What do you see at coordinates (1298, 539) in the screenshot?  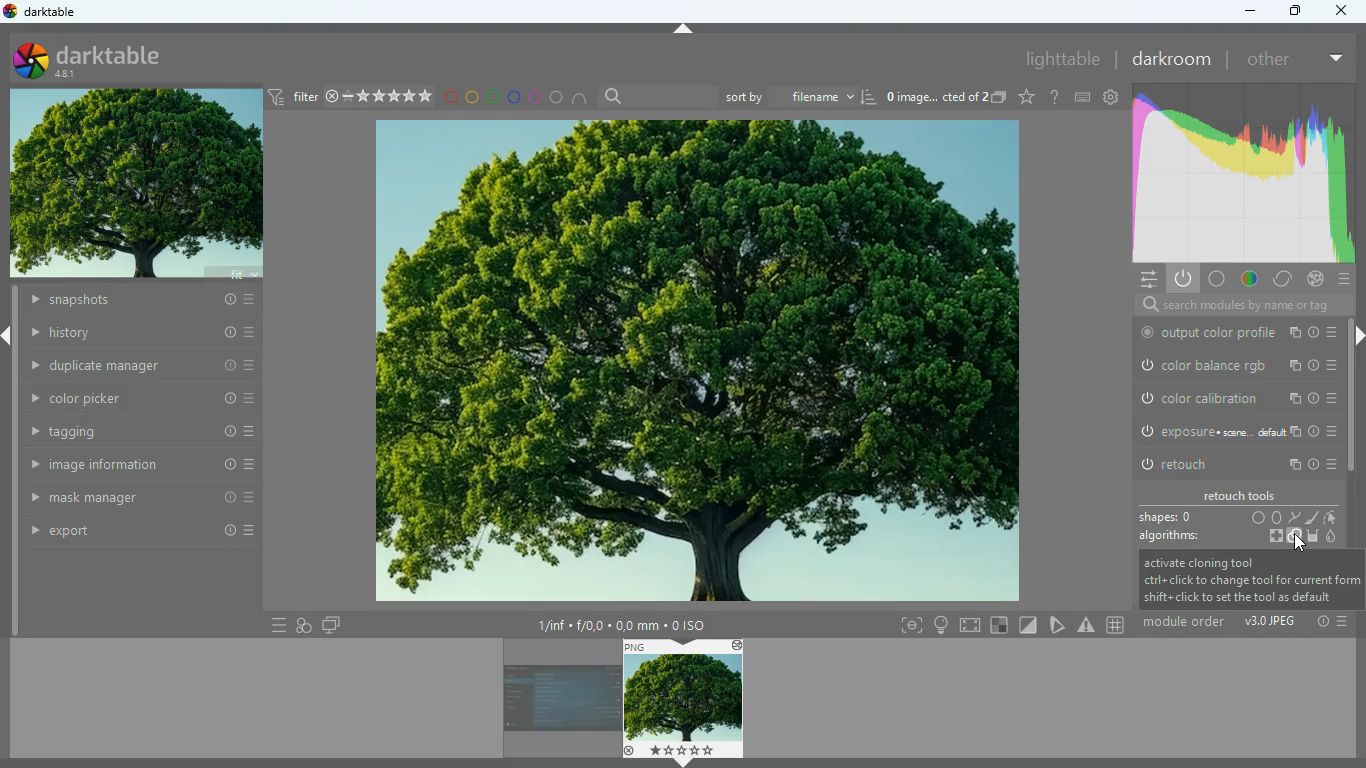 I see `selected algorithm` at bounding box center [1298, 539].